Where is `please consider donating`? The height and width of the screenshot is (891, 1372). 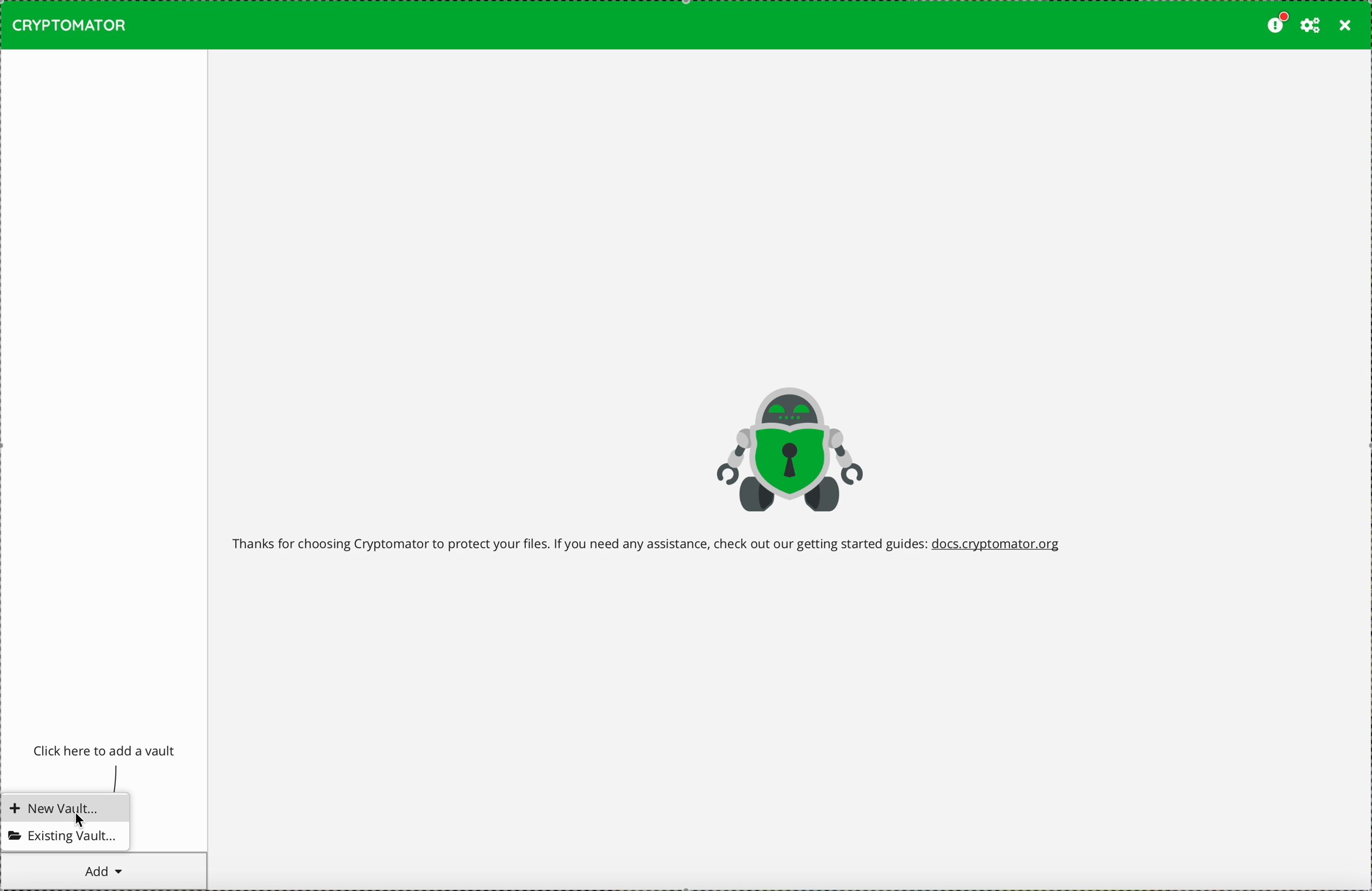 please consider donating is located at coordinates (1276, 24).